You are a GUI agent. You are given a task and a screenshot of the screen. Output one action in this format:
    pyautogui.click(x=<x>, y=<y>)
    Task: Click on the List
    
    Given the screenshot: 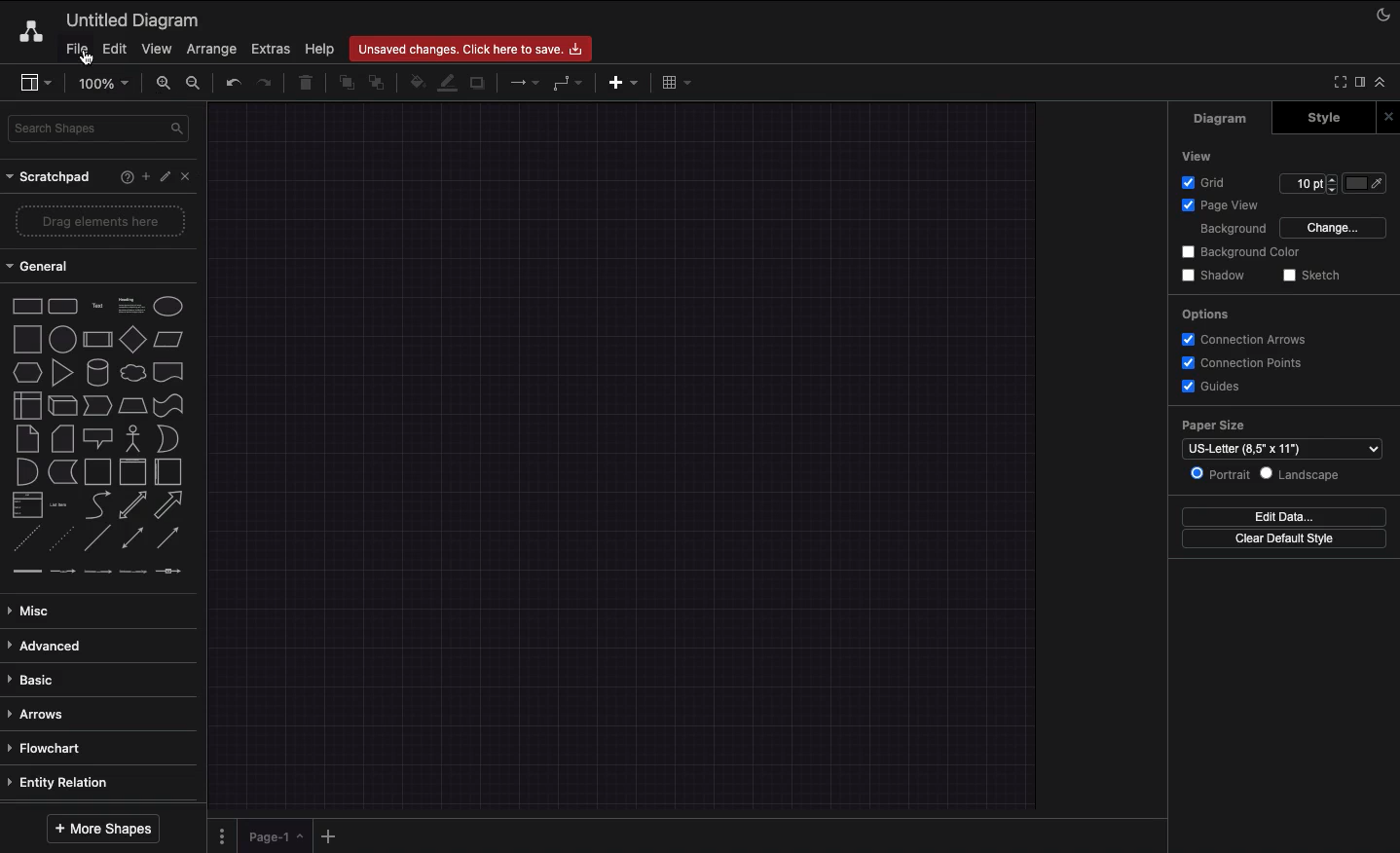 What is the action you would take?
    pyautogui.click(x=25, y=505)
    